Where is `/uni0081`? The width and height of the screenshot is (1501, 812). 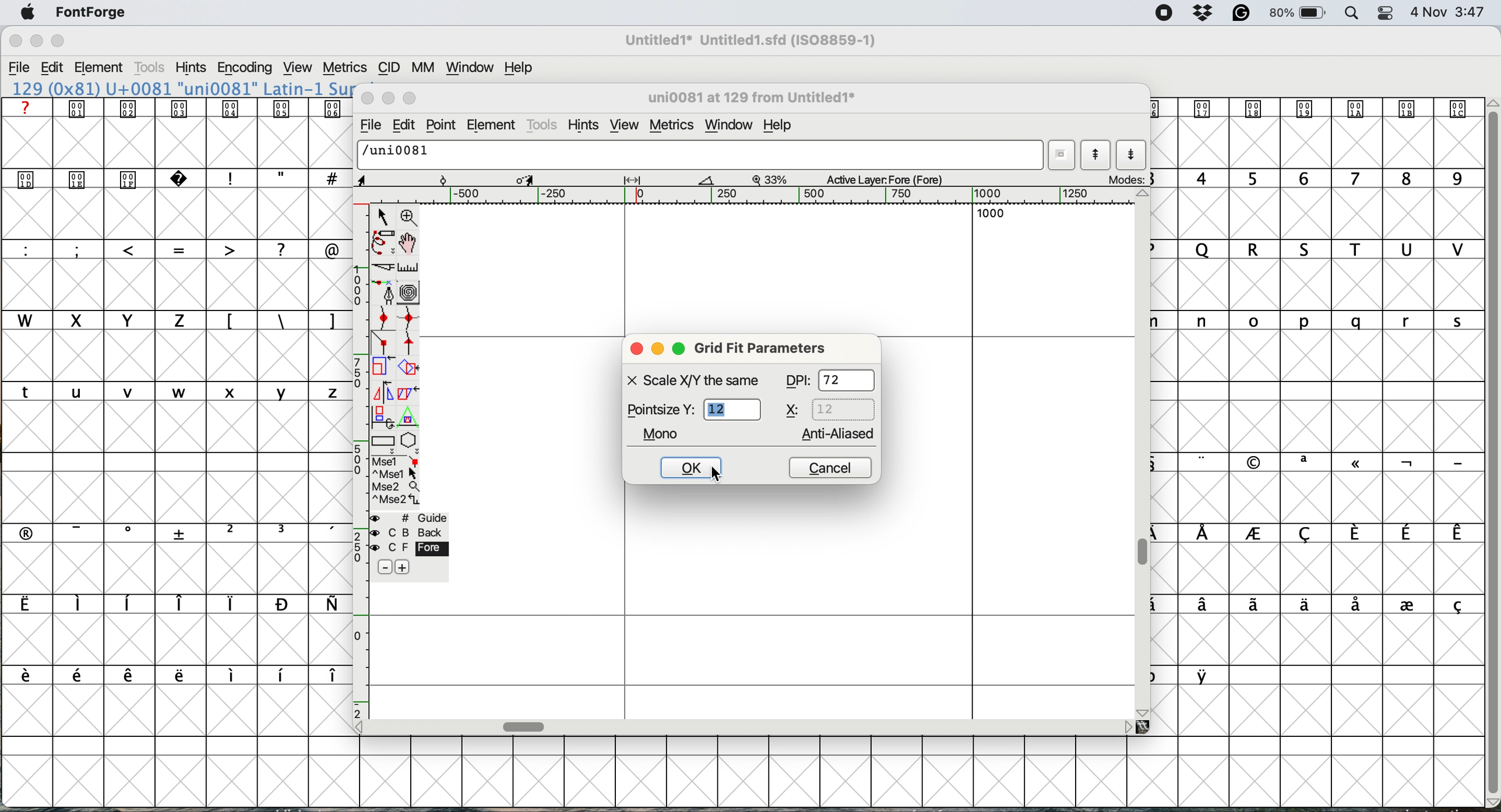
/uni0081 is located at coordinates (701, 155).